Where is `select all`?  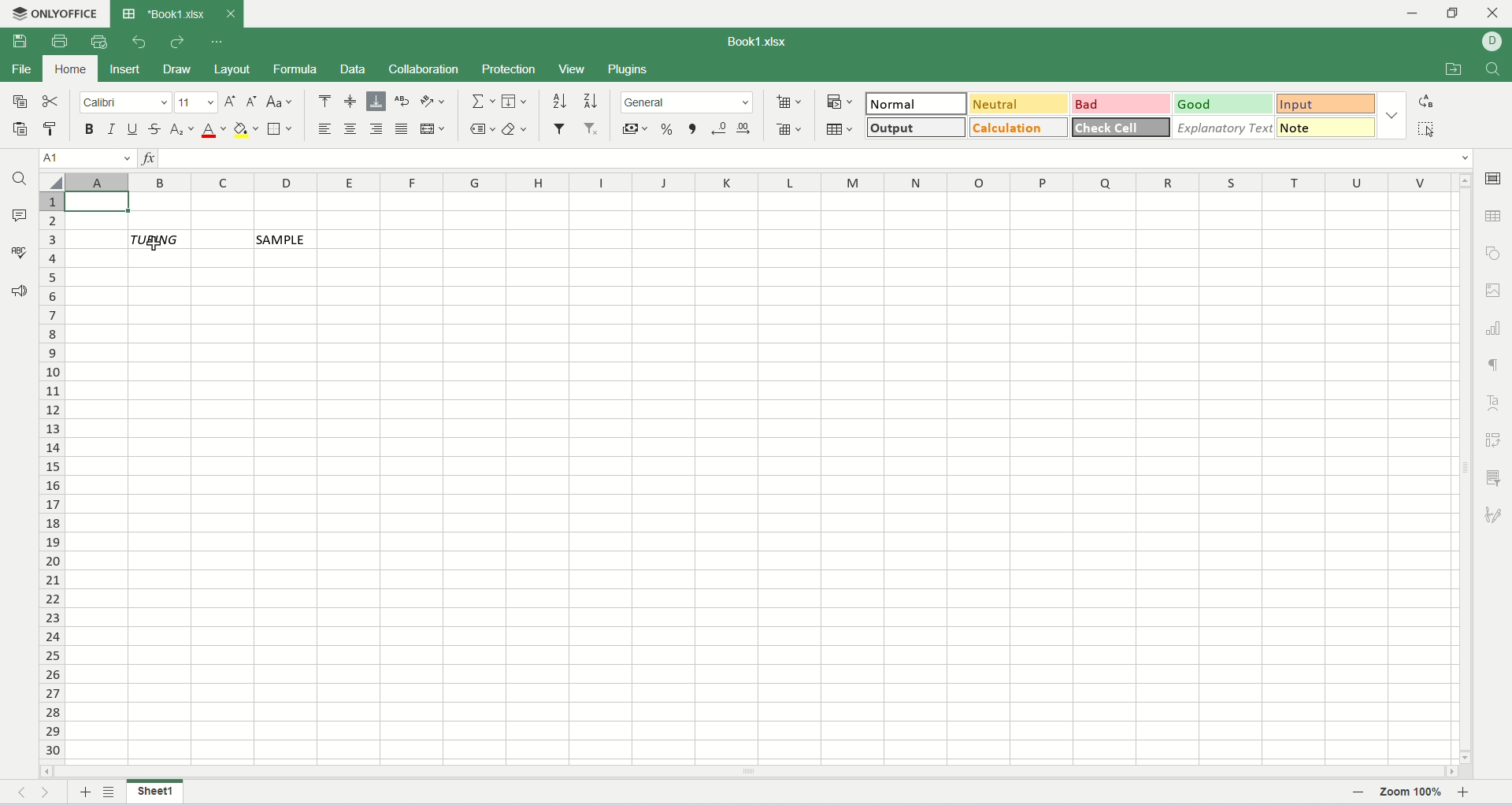 select all is located at coordinates (51, 182).